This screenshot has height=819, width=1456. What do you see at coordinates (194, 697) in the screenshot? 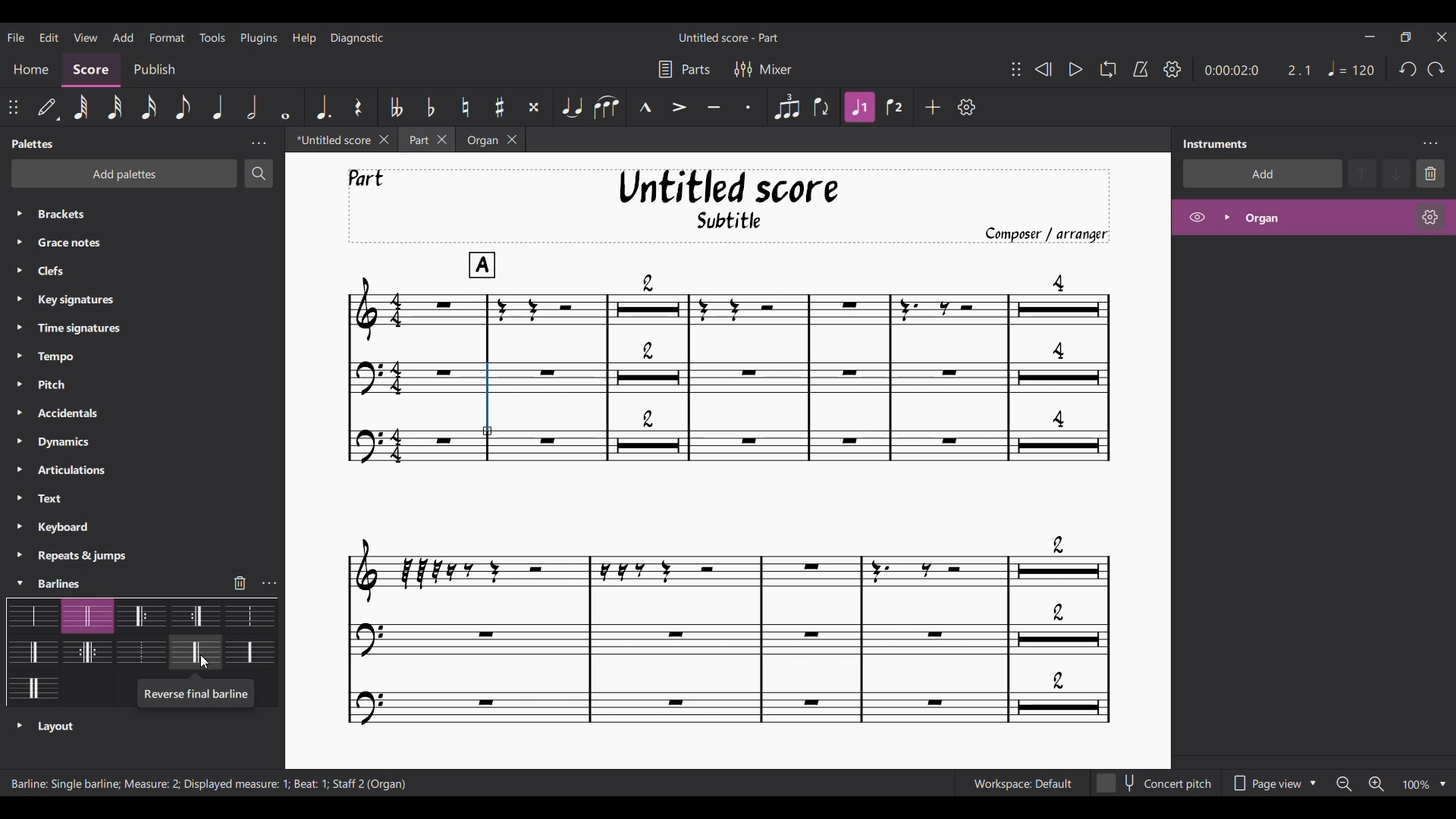
I see `Description of selected barline` at bounding box center [194, 697].